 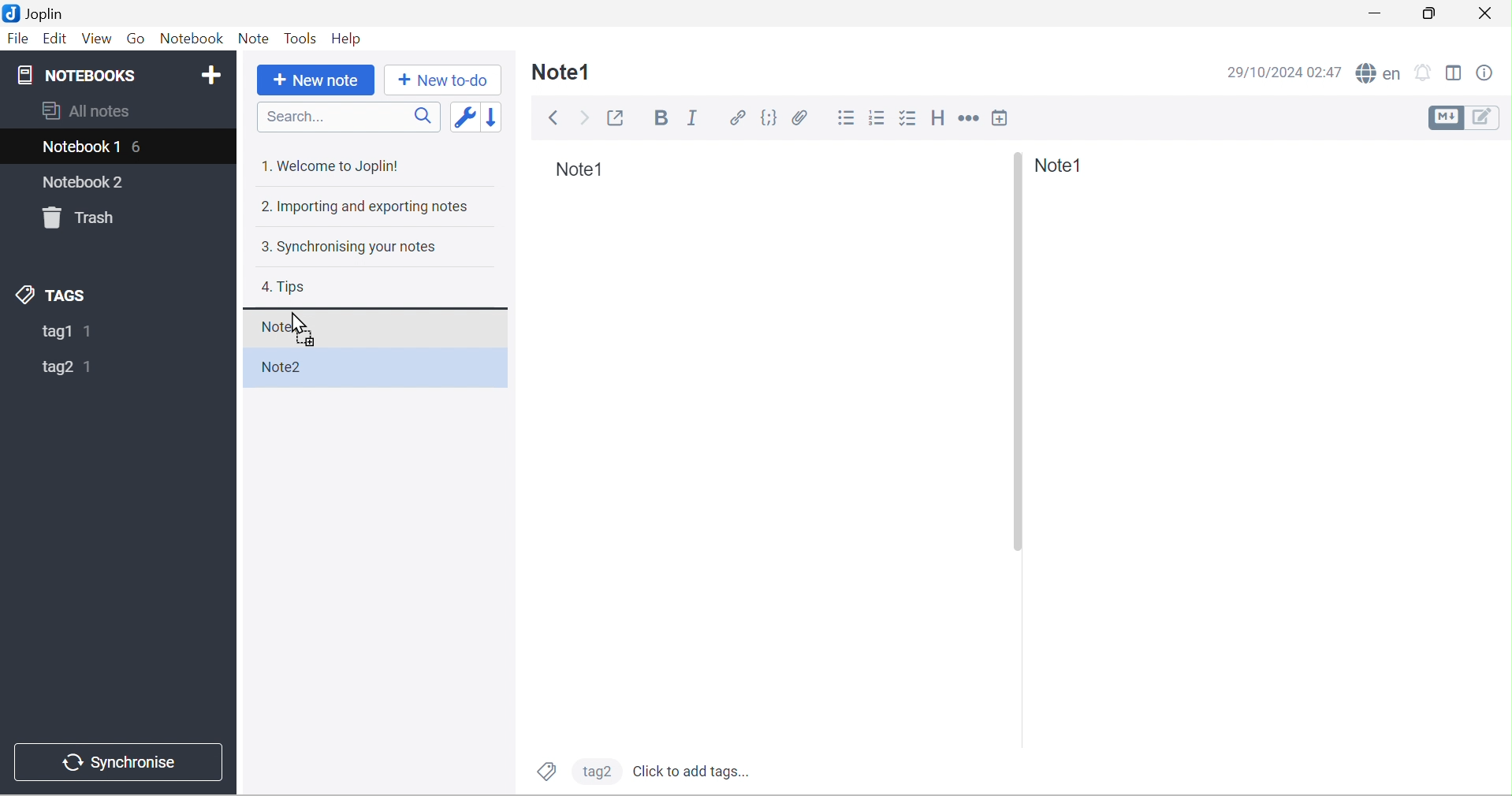 I want to click on Search..., so click(x=298, y=118).